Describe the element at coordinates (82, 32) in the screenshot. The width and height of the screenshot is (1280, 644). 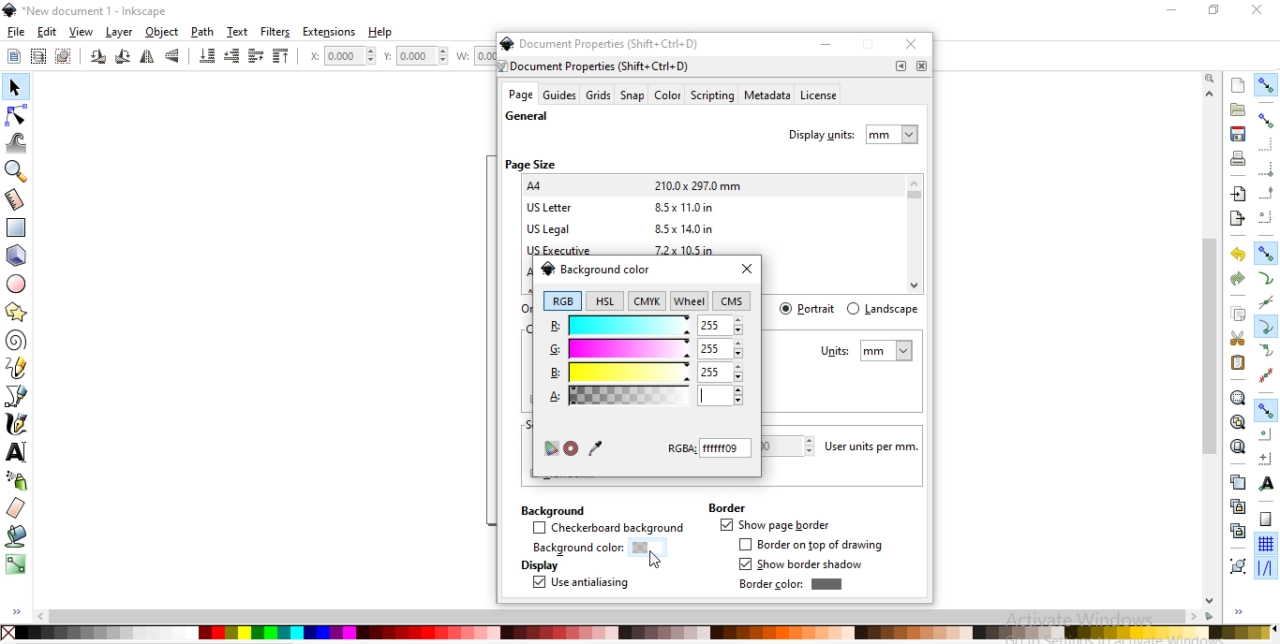
I see `view` at that location.